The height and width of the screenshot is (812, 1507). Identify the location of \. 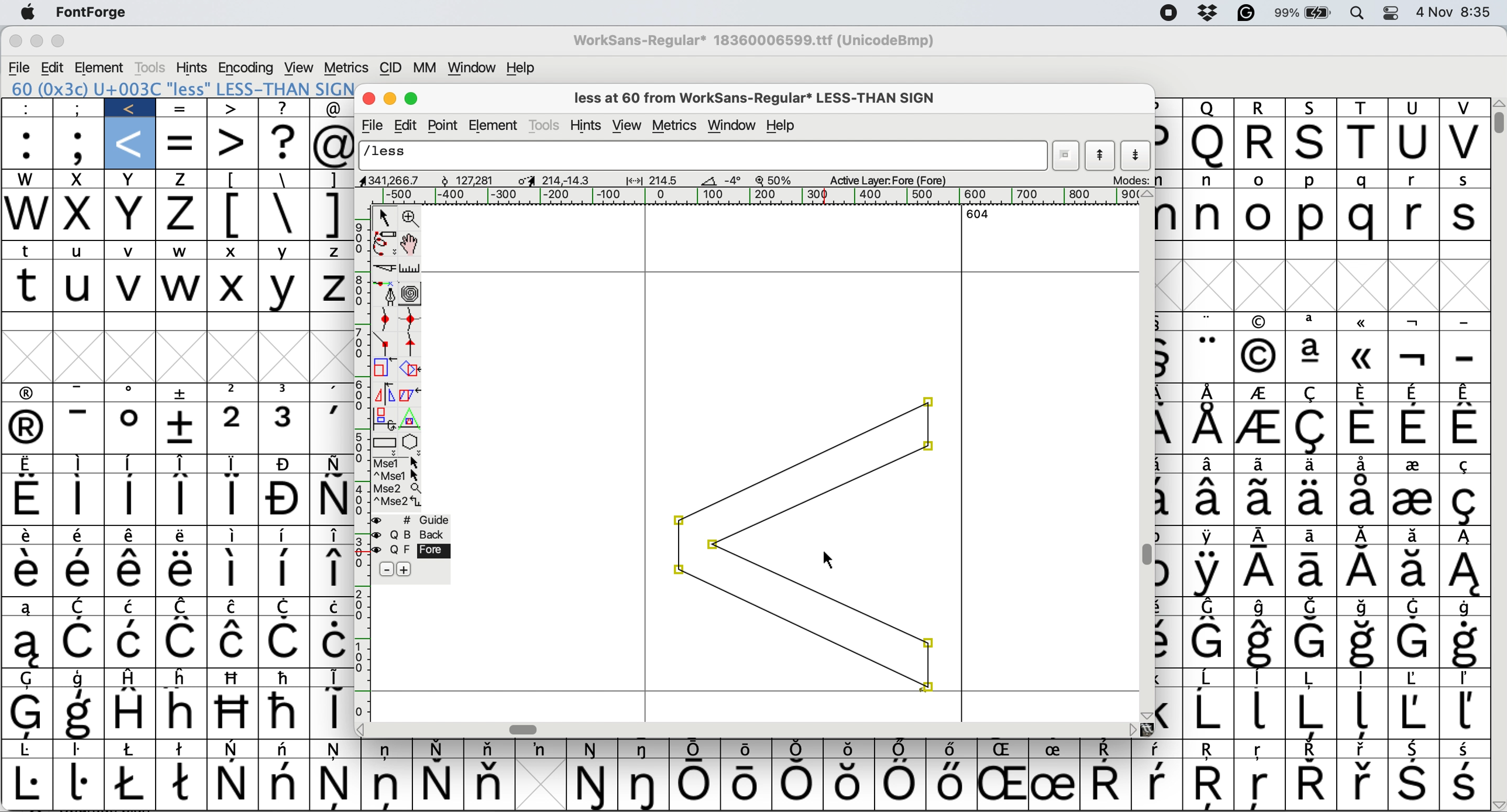
(284, 178).